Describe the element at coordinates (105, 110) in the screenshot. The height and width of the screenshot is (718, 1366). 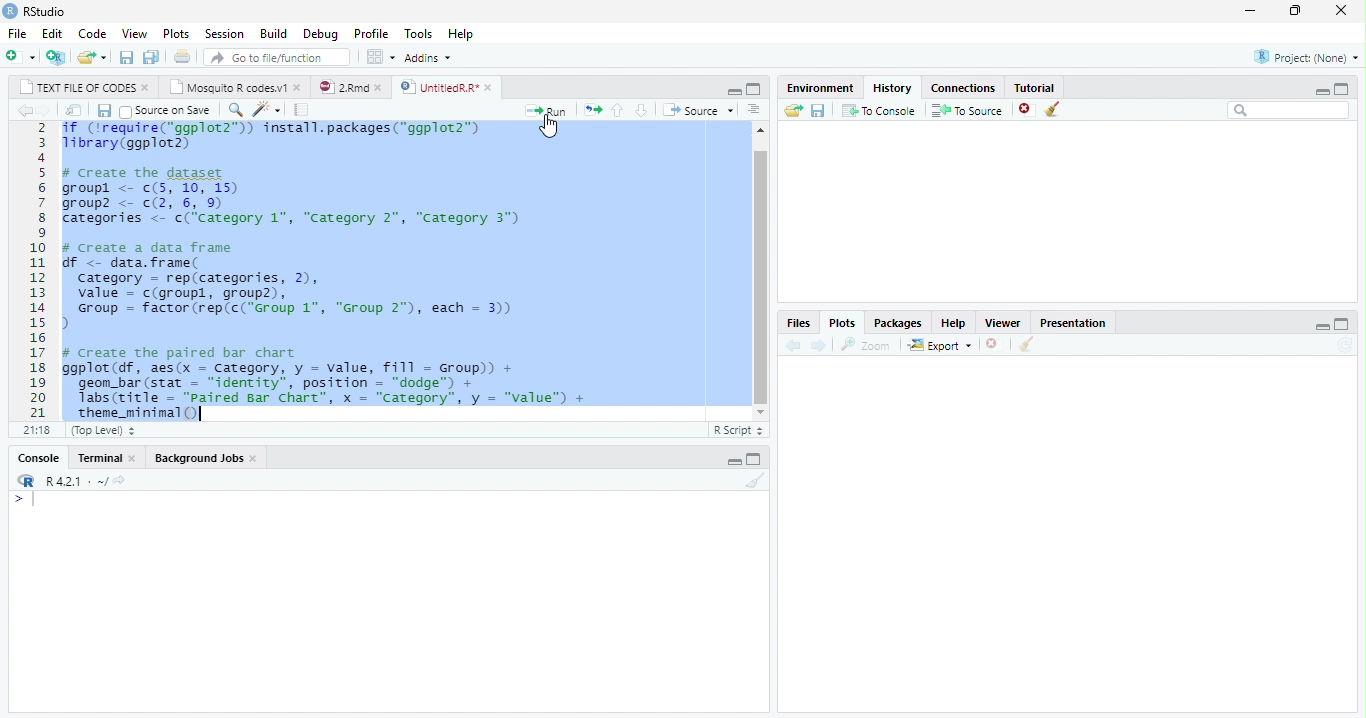
I see `save current document` at that location.